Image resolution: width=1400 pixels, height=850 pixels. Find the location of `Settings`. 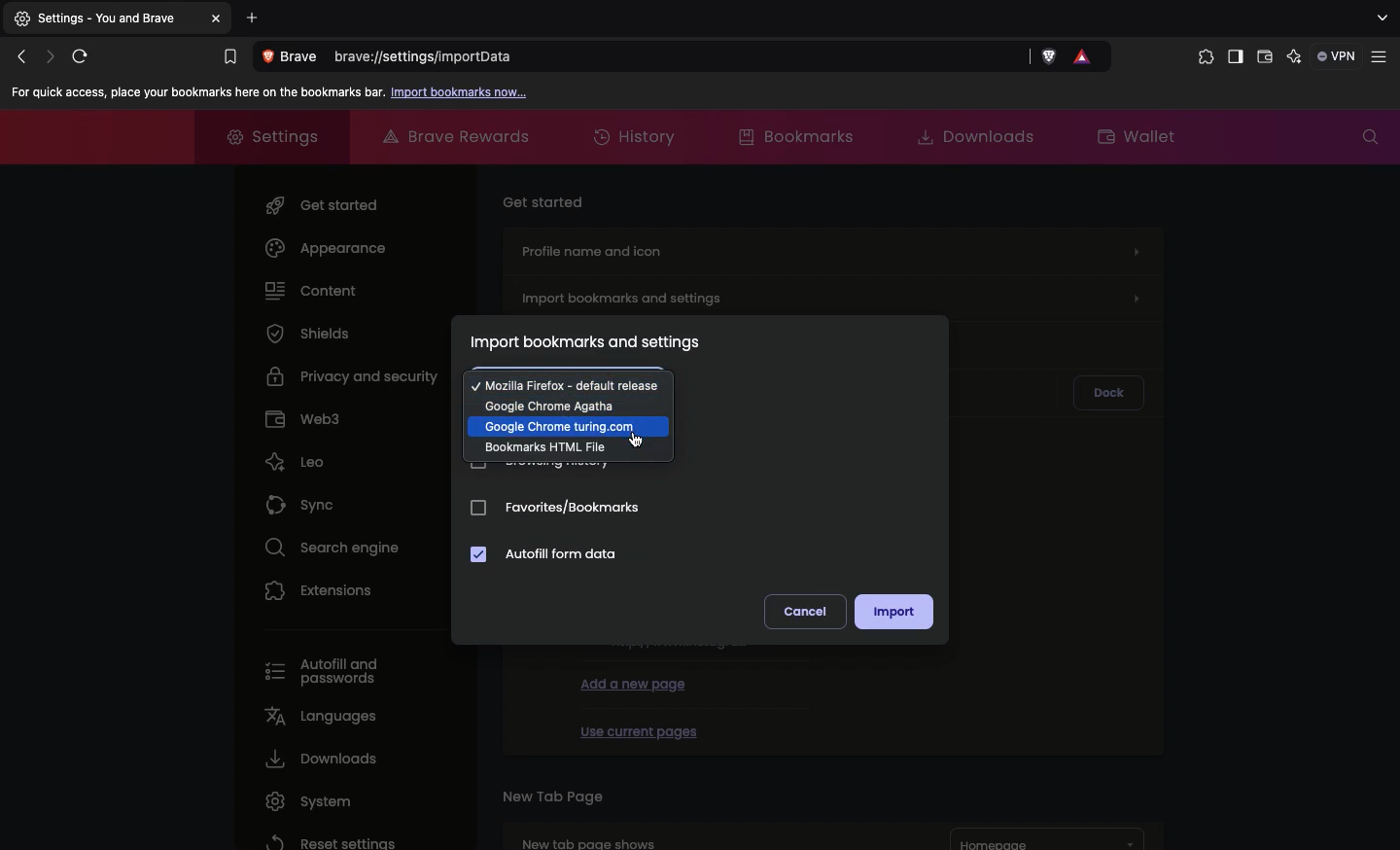

Settings is located at coordinates (104, 19).